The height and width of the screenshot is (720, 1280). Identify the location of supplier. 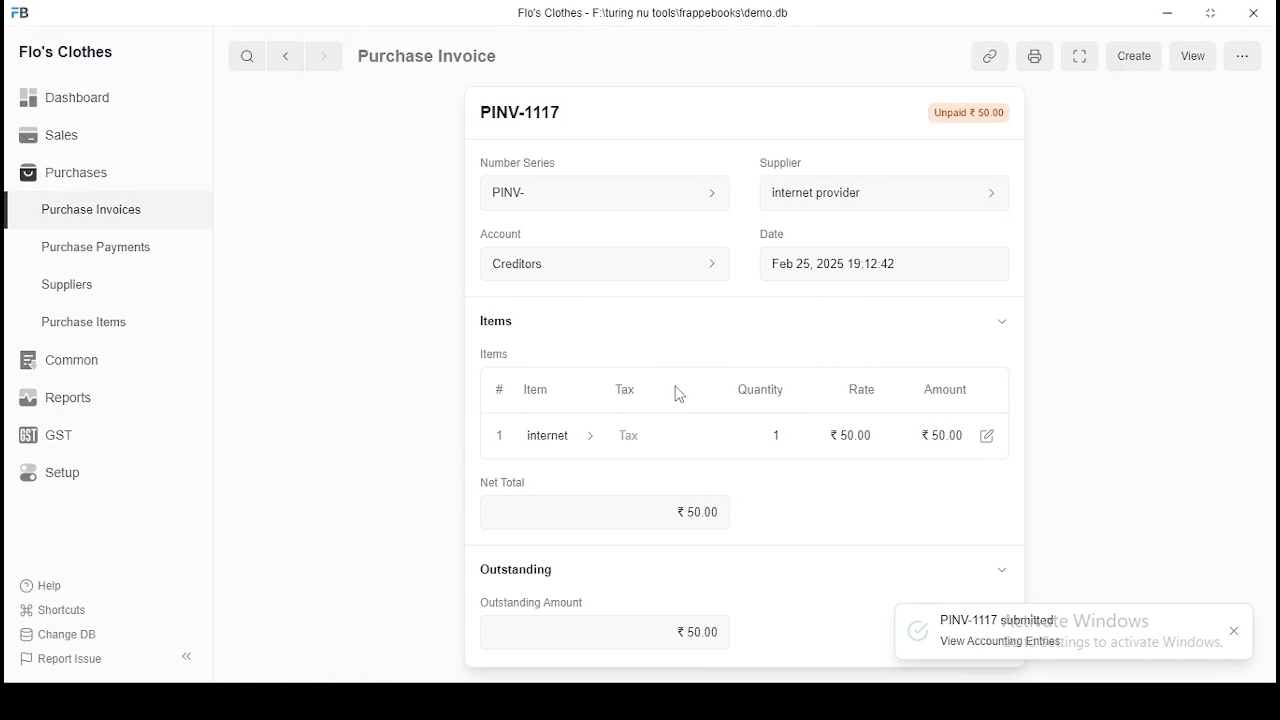
(882, 191).